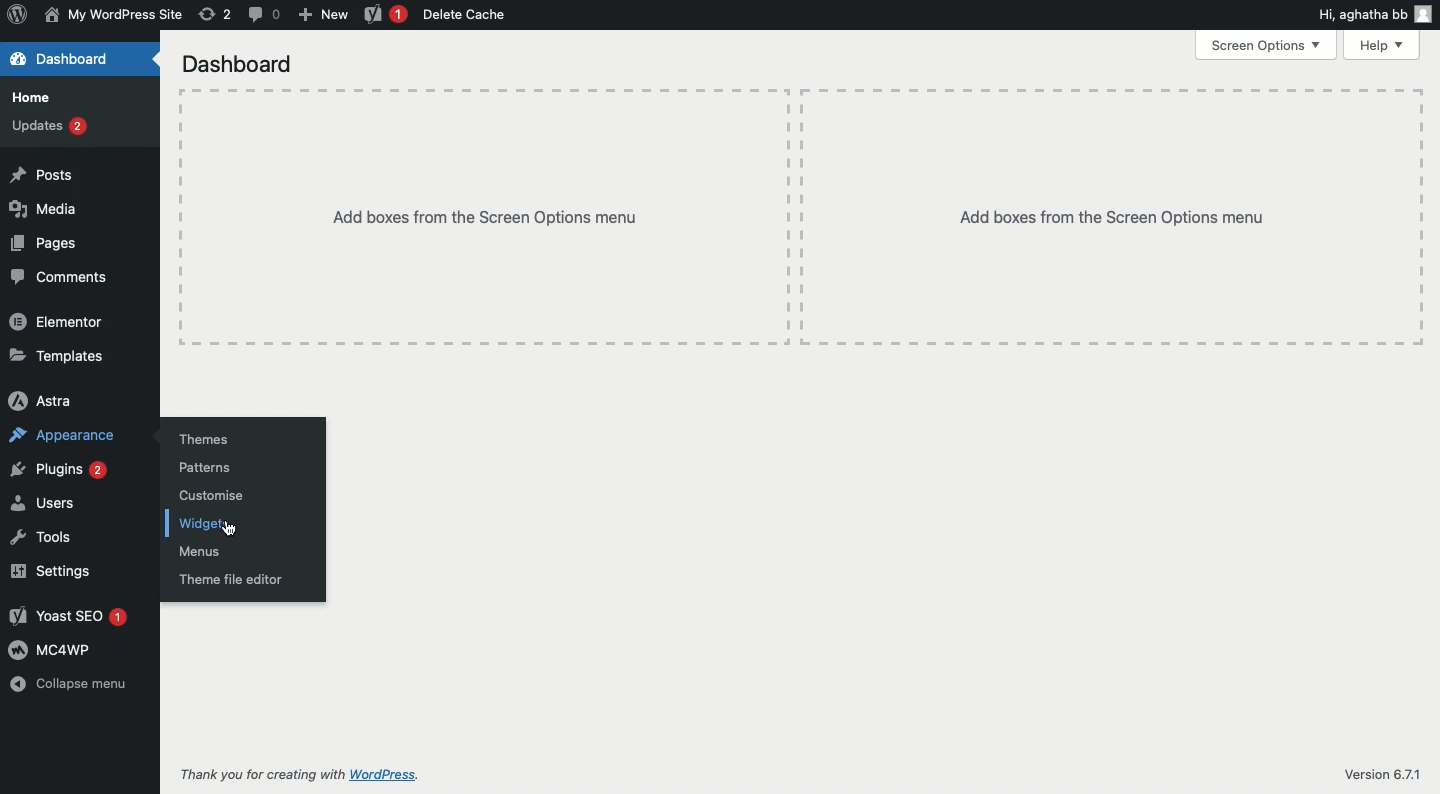 The width and height of the screenshot is (1440, 794). I want to click on Media, so click(44, 209).